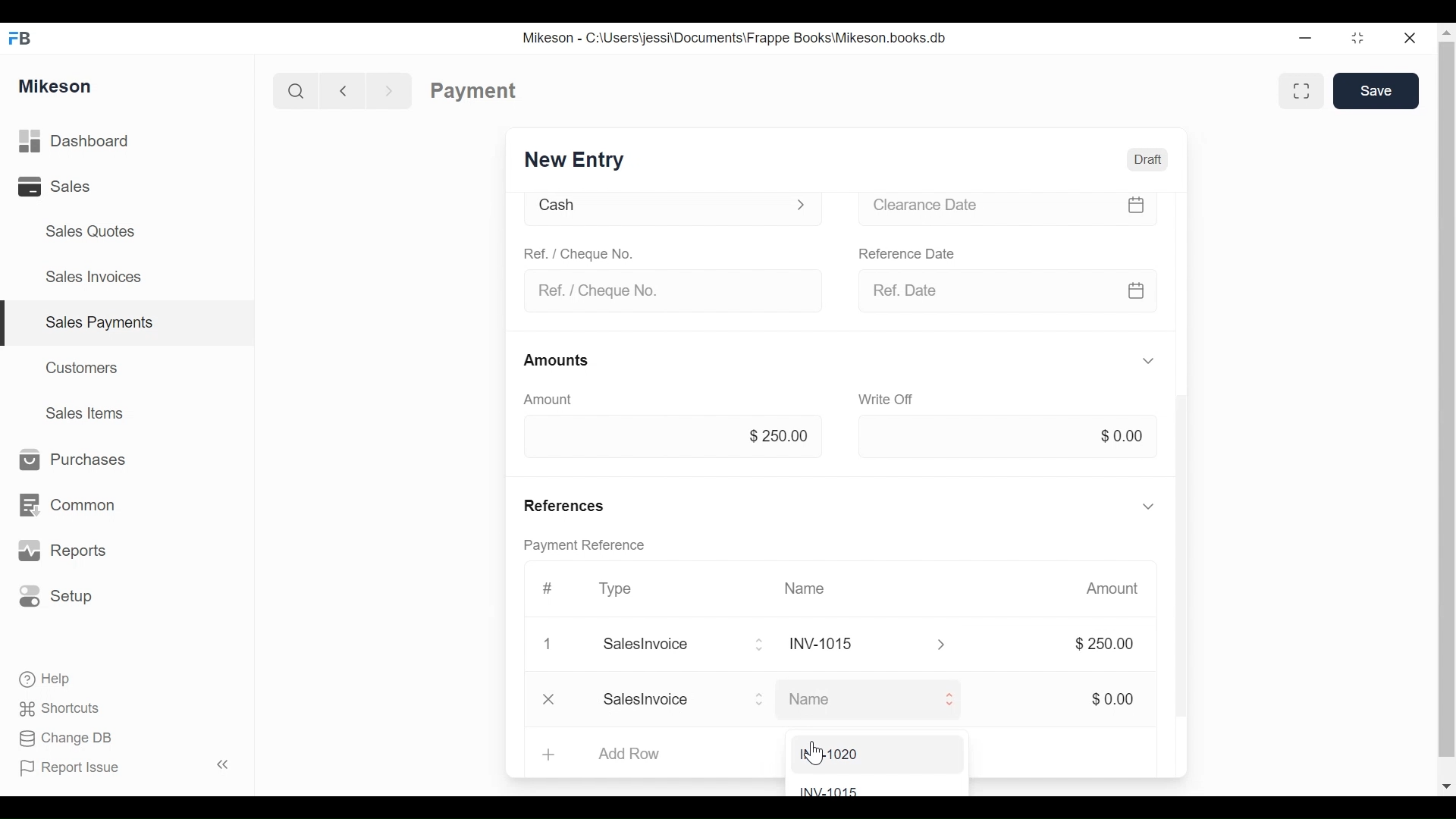  Describe the element at coordinates (881, 645) in the screenshot. I see `INY1015` at that location.